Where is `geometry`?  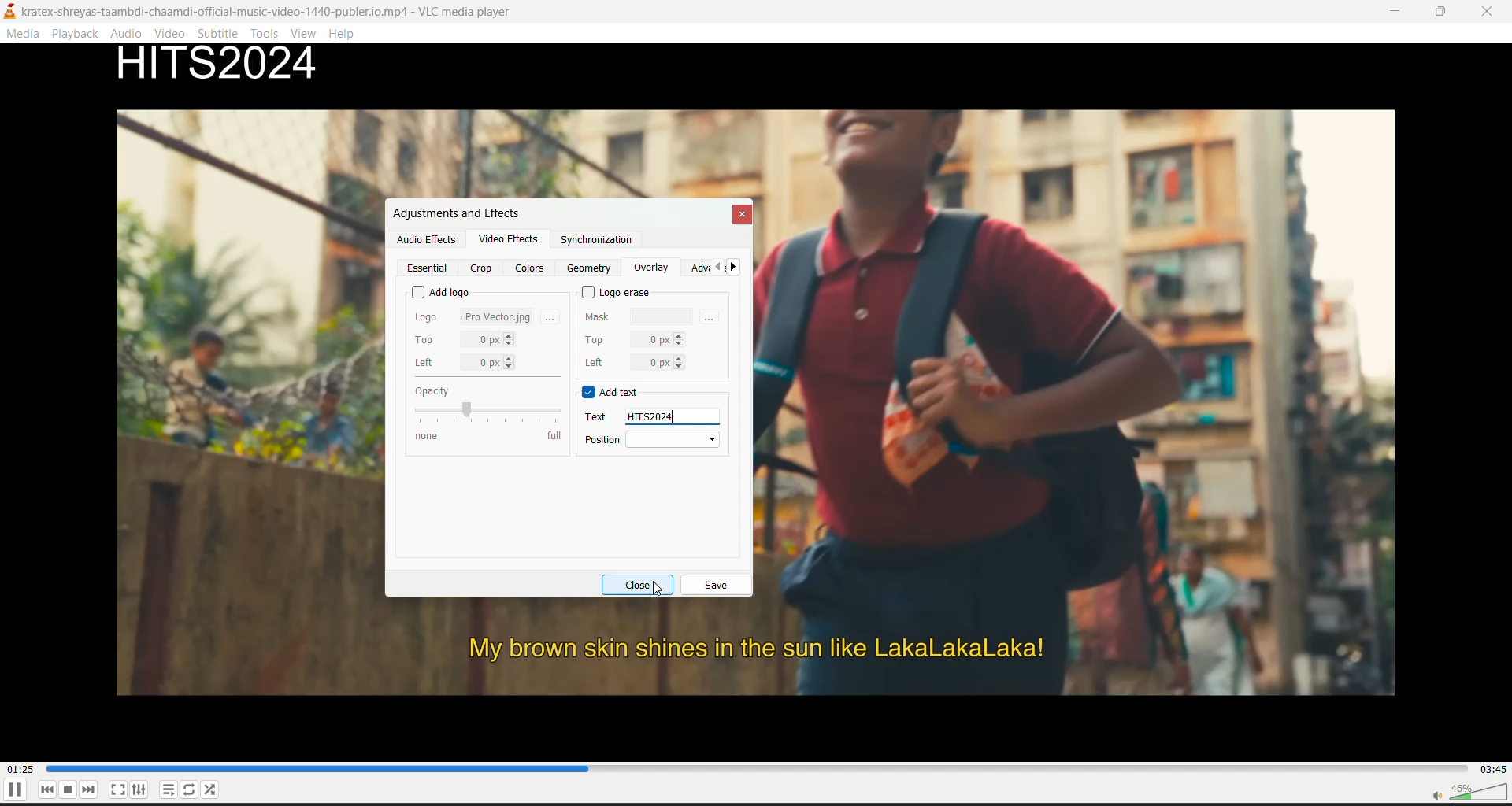
geometry is located at coordinates (591, 268).